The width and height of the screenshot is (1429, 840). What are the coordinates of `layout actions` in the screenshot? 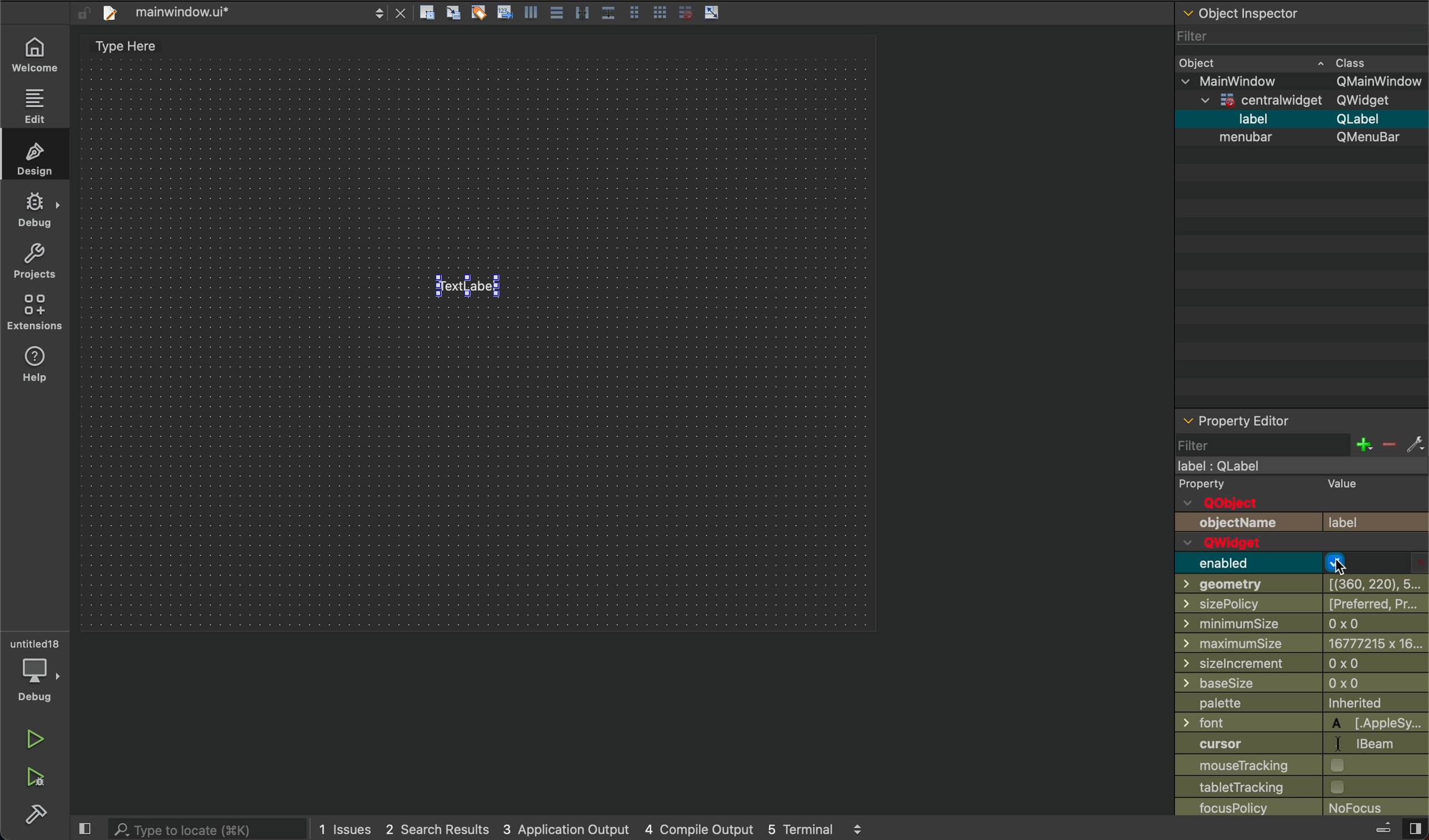 It's located at (577, 12).